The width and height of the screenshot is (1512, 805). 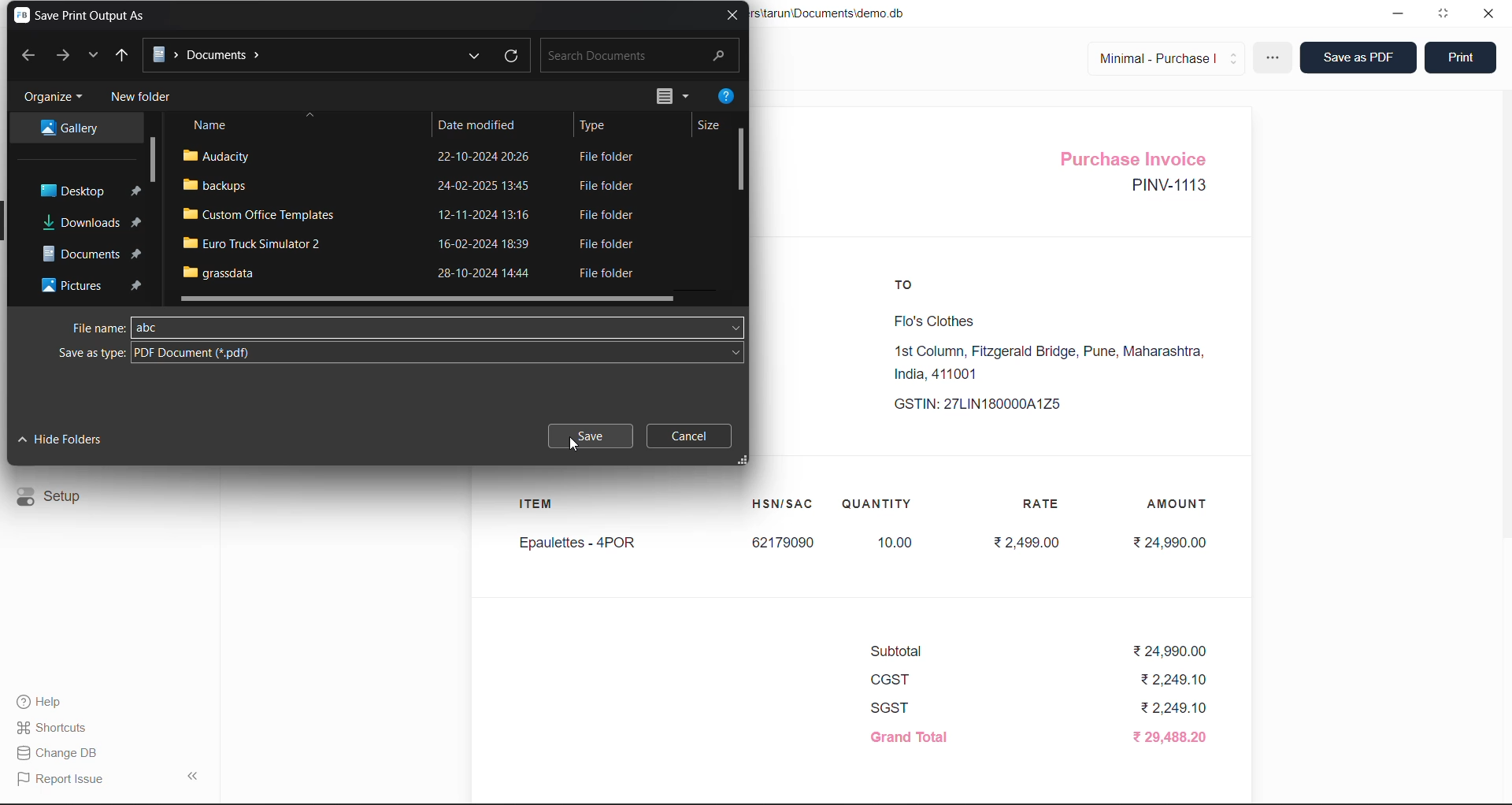 I want to click on Hide folders, so click(x=60, y=441).